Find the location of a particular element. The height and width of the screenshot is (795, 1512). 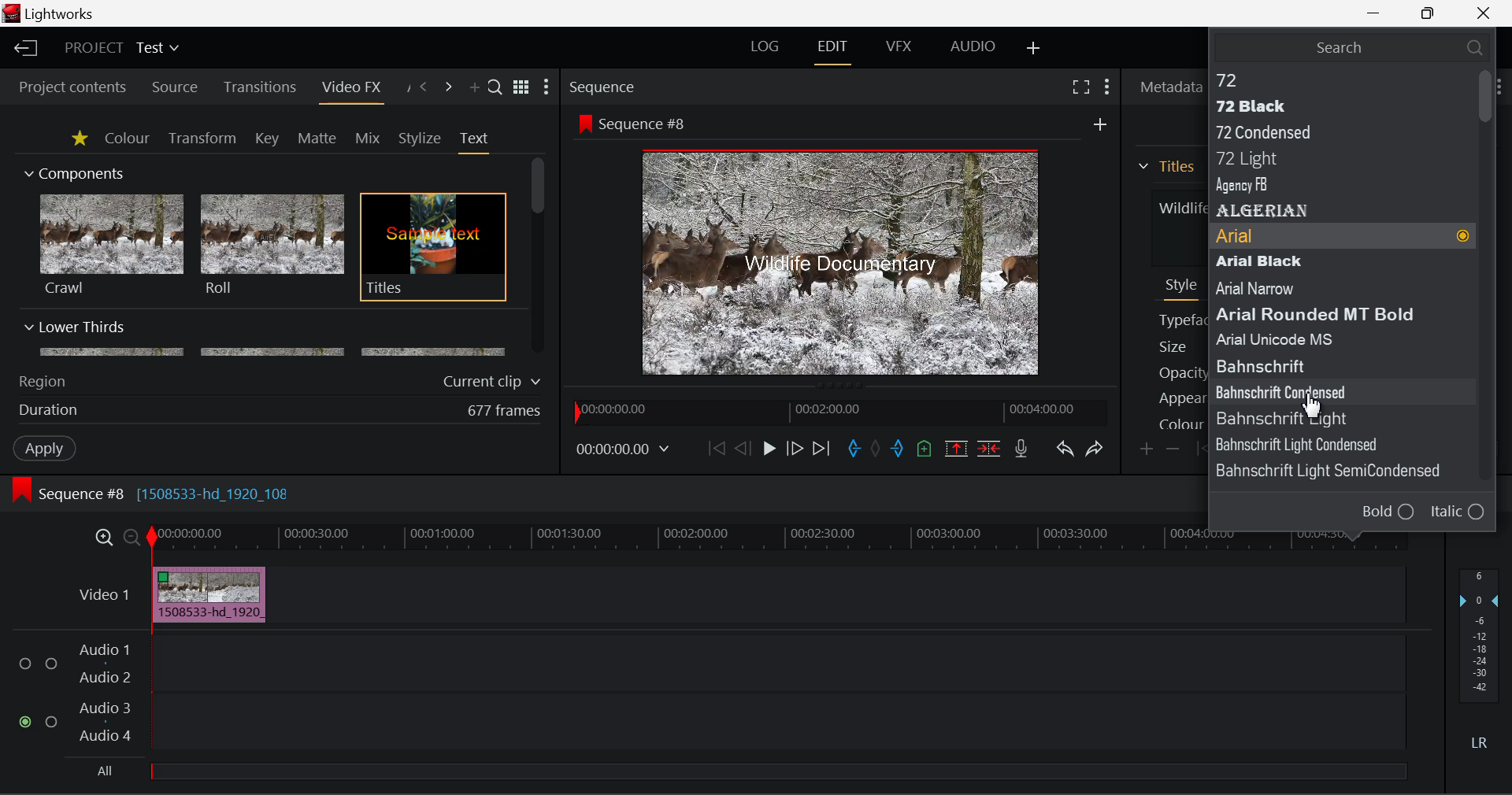

checkbox is located at coordinates (28, 664).